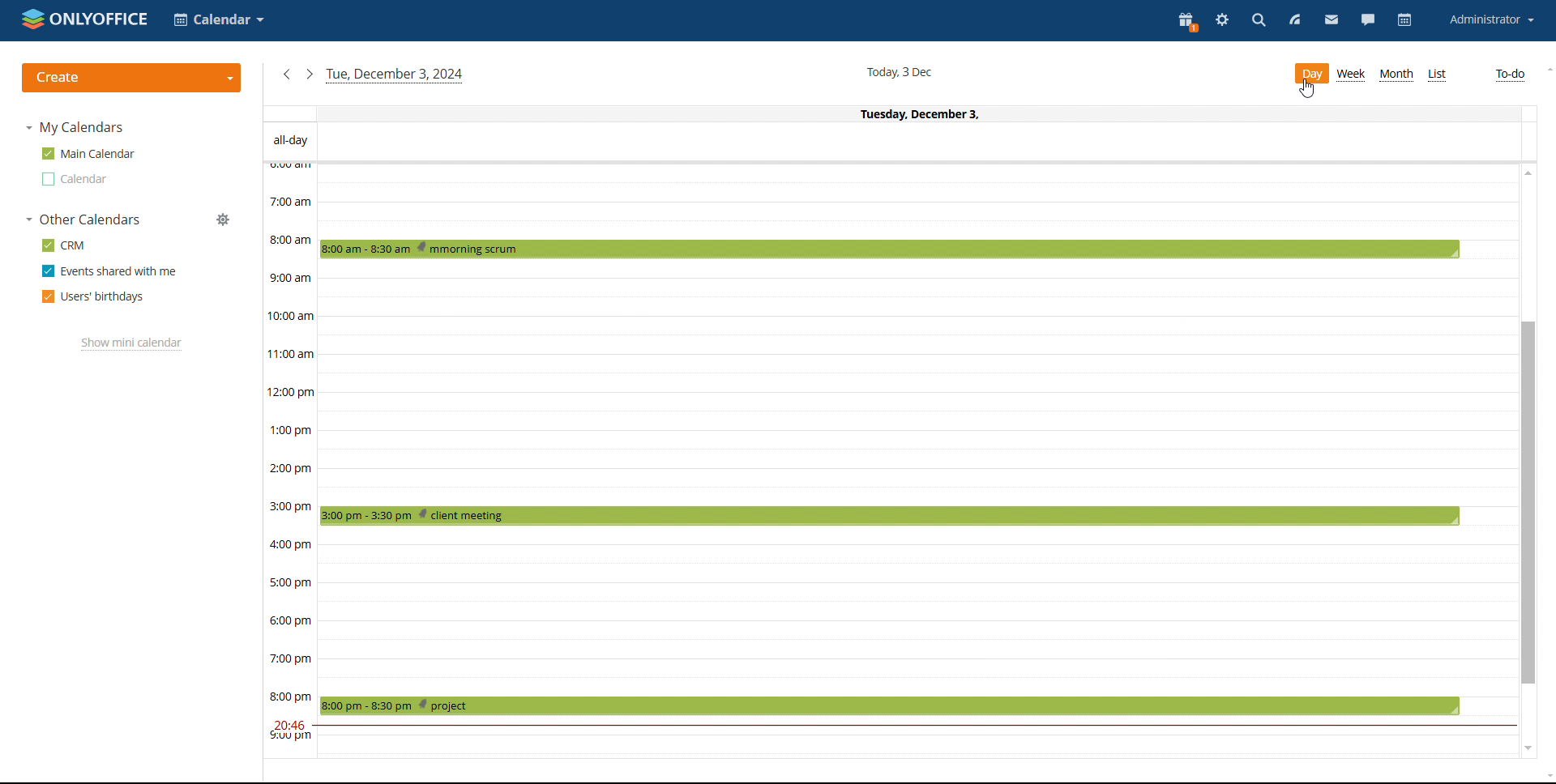 This screenshot has width=1556, height=784. I want to click on scroll up, so click(1528, 172).